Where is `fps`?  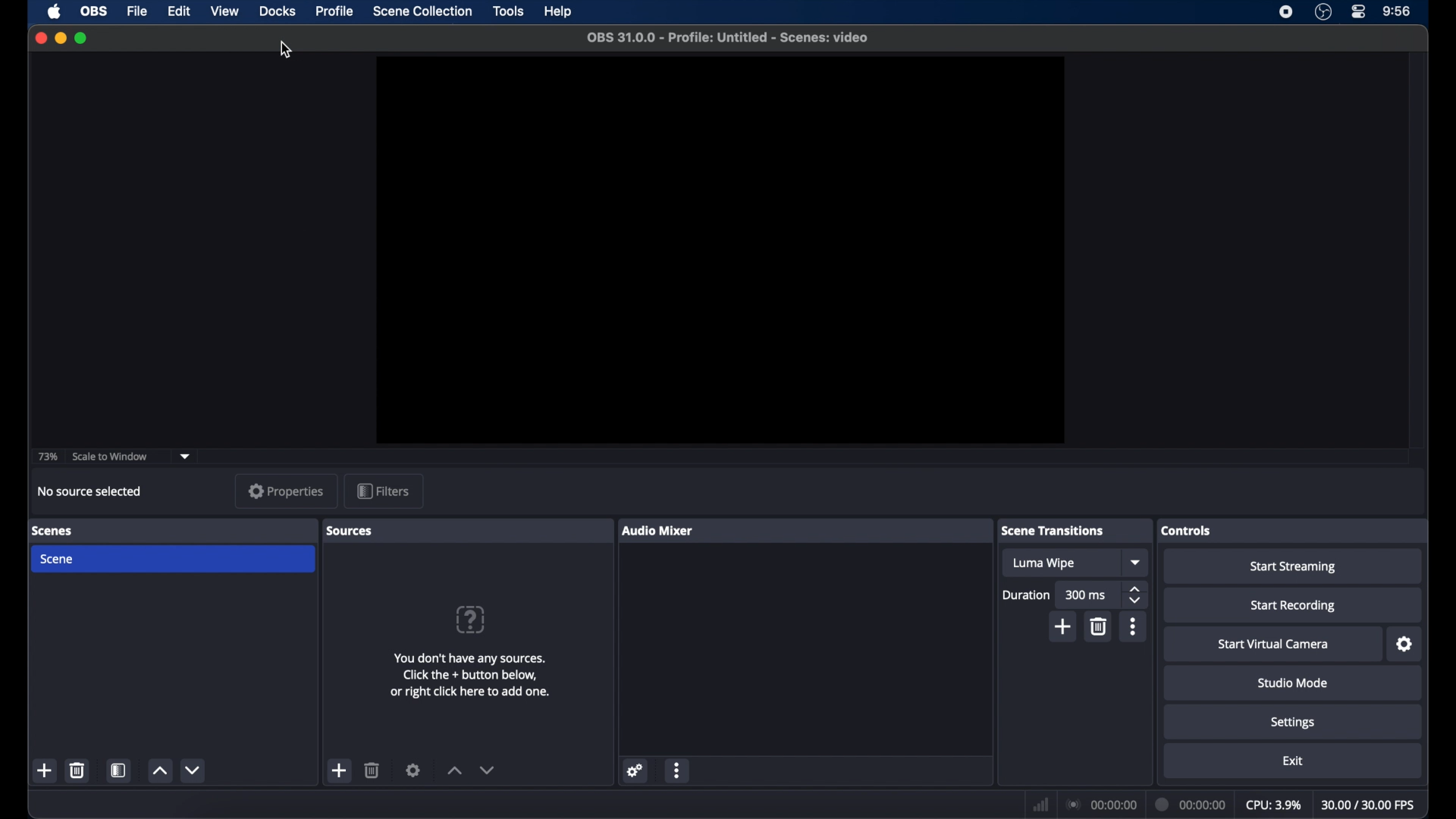
fps is located at coordinates (1369, 804).